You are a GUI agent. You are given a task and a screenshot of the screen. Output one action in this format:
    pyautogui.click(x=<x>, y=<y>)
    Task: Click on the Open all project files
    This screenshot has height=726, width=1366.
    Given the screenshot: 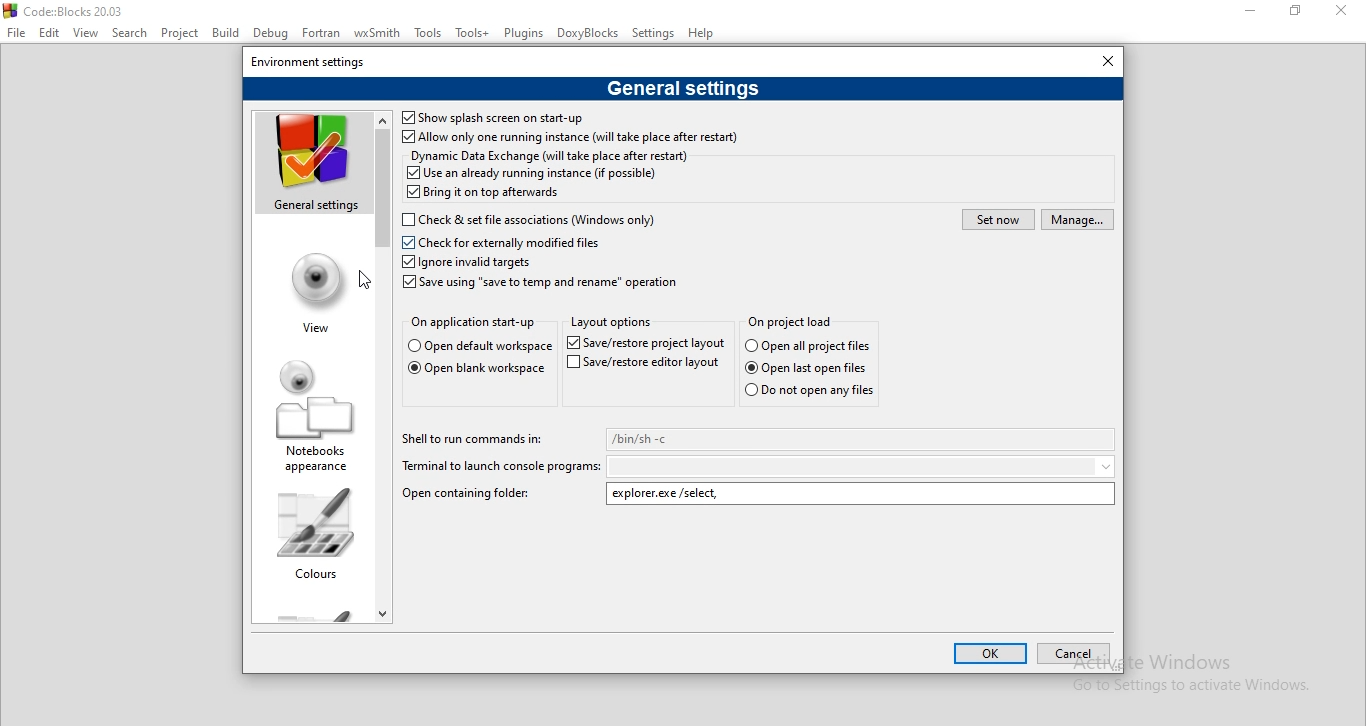 What is the action you would take?
    pyautogui.click(x=806, y=345)
    